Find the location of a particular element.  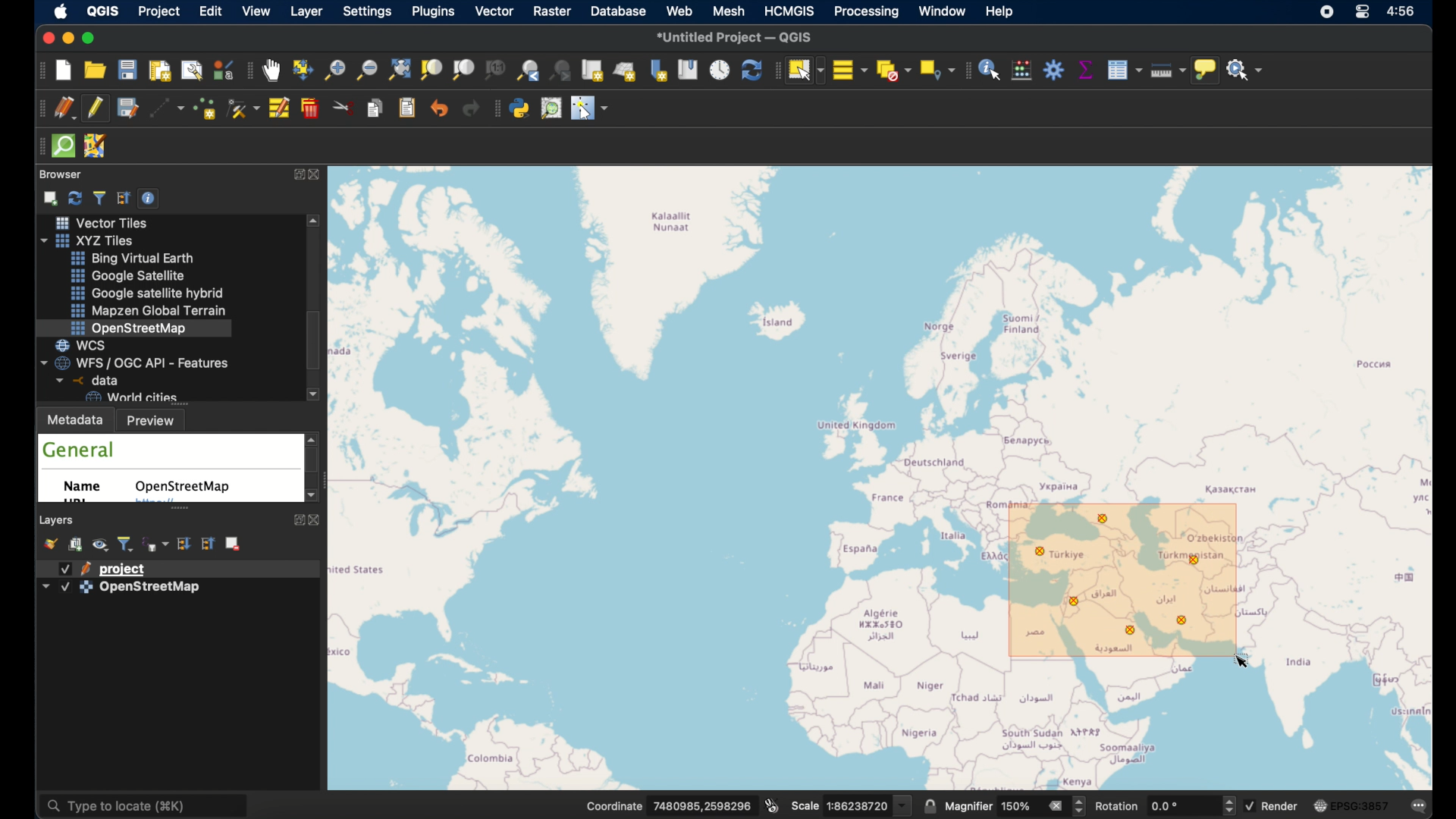

lock scale is located at coordinates (930, 805).